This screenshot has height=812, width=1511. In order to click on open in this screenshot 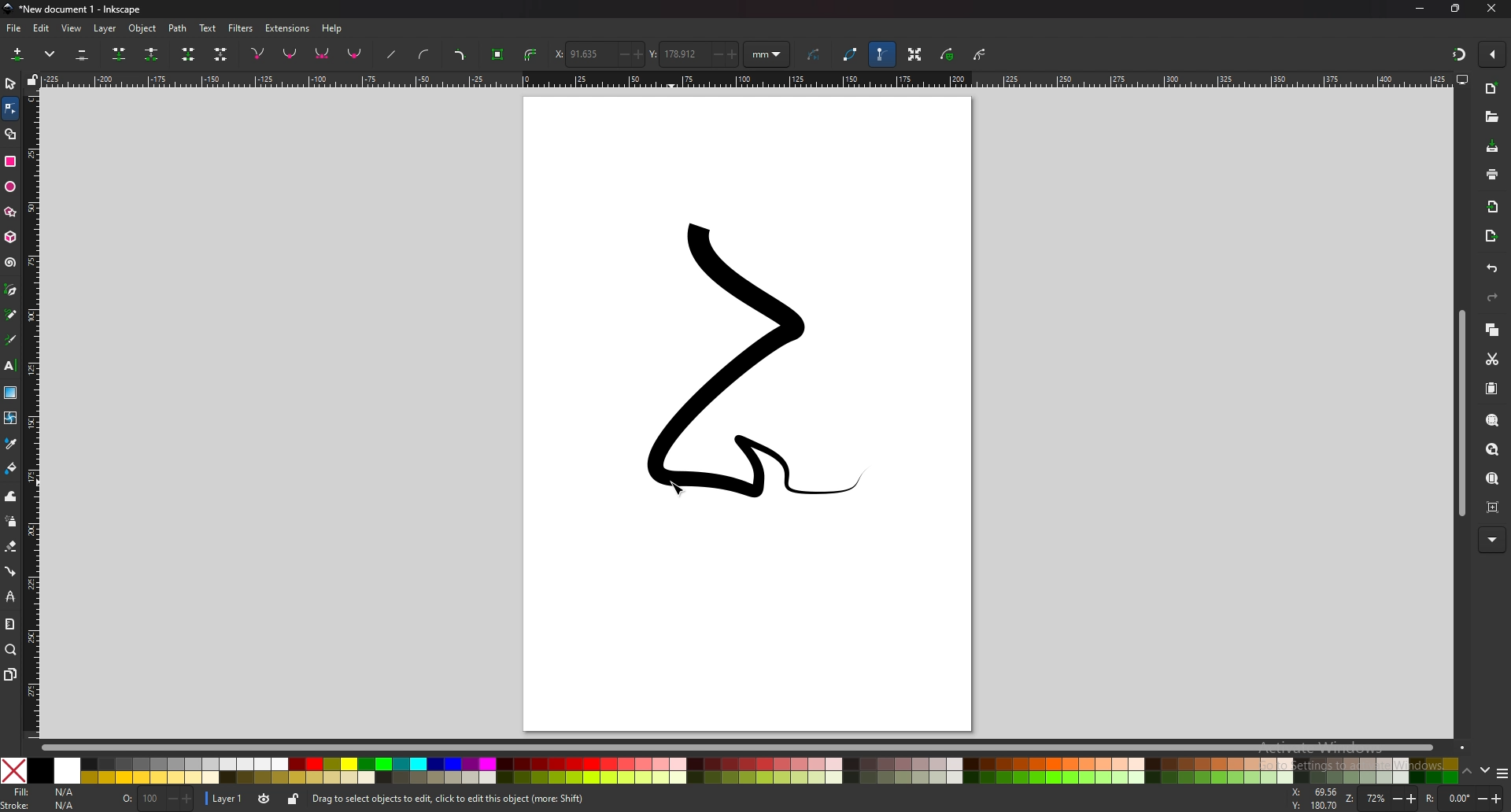, I will do `click(1491, 117)`.